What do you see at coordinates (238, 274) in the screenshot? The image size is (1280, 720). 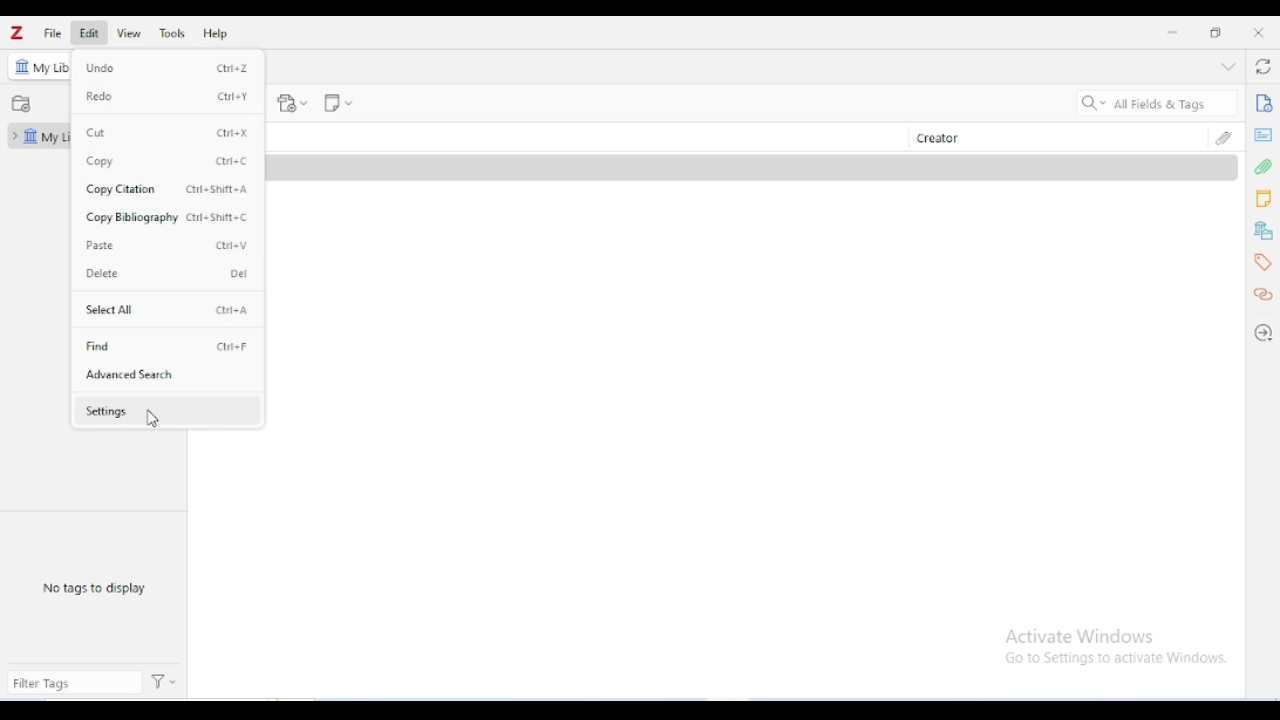 I see `del` at bounding box center [238, 274].